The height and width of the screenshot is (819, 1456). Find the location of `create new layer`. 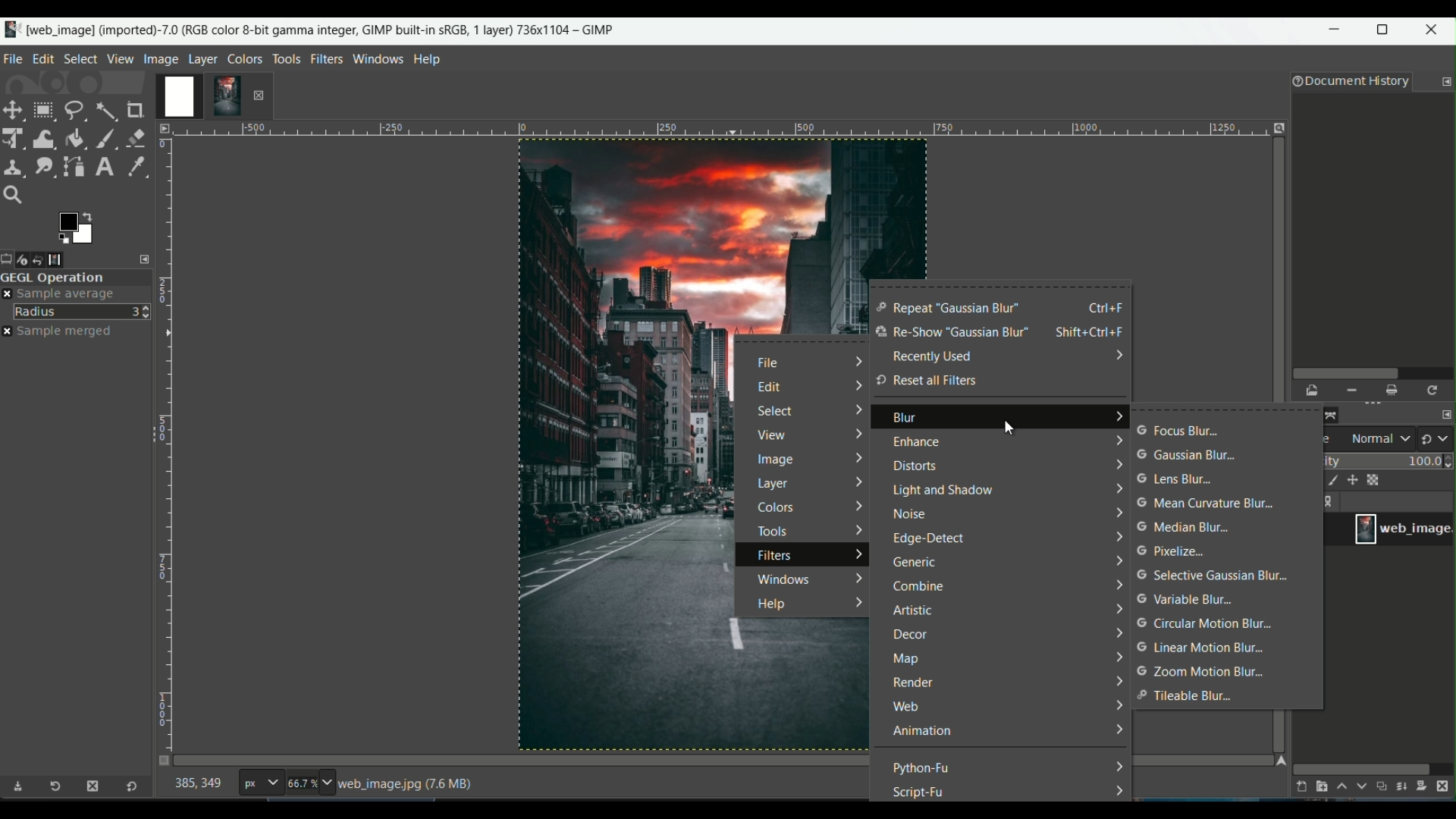

create new layer is located at coordinates (1298, 786).